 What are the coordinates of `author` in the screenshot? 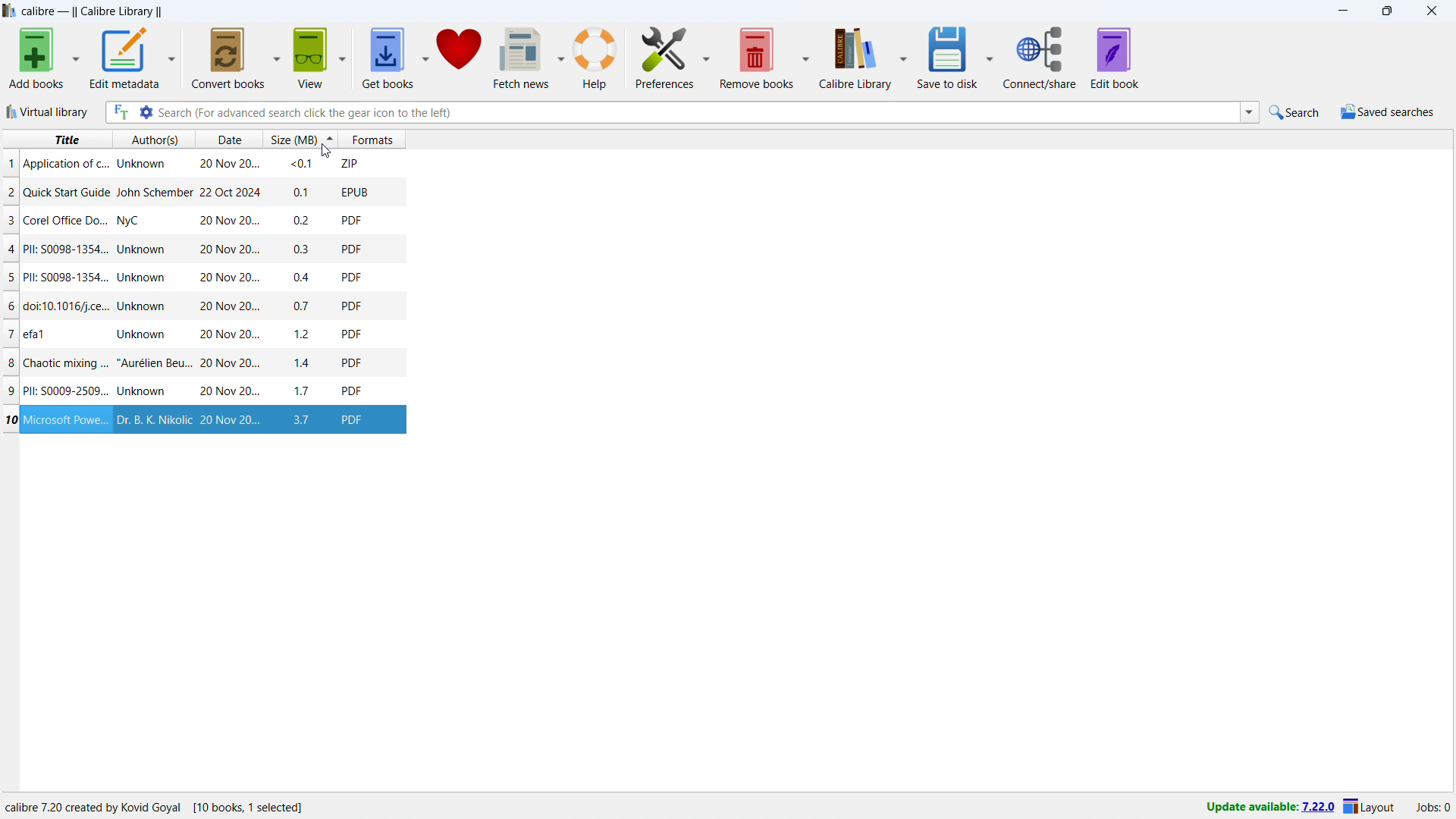 It's located at (153, 420).